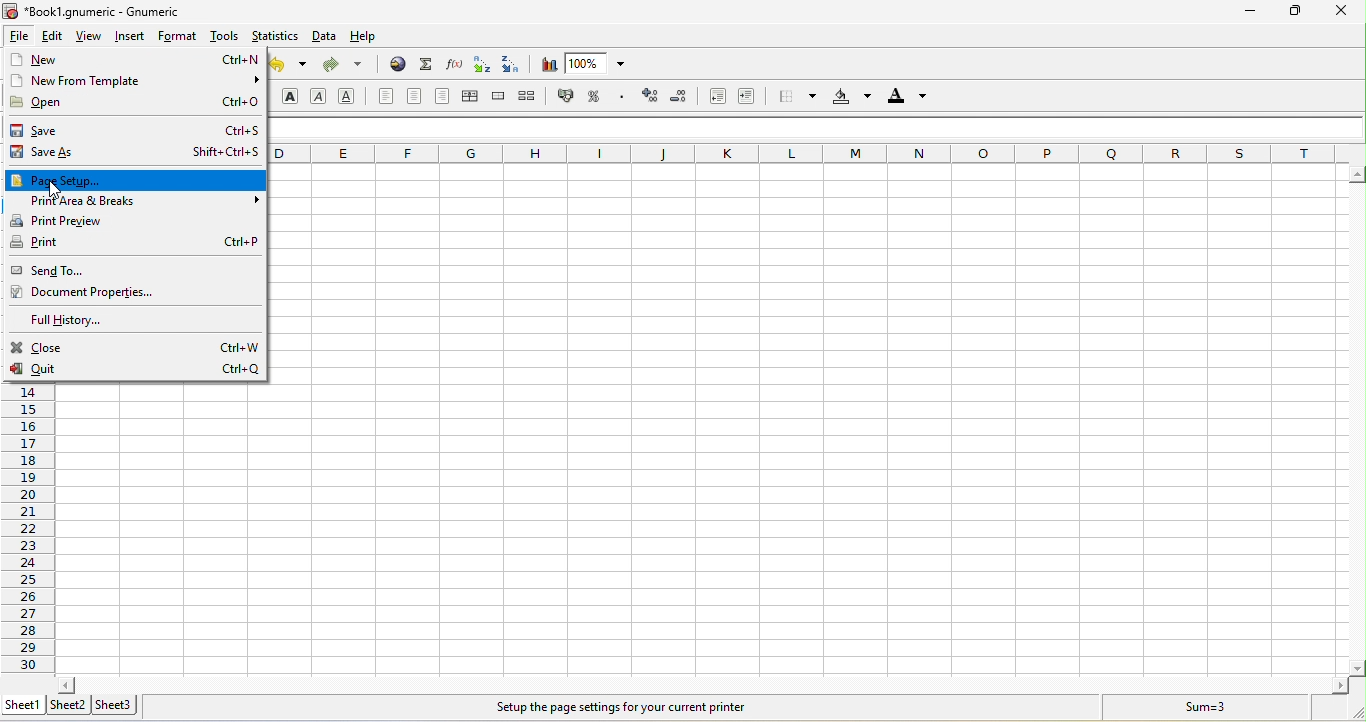  Describe the element at coordinates (570, 95) in the screenshot. I see `format the selection as accounting` at that location.